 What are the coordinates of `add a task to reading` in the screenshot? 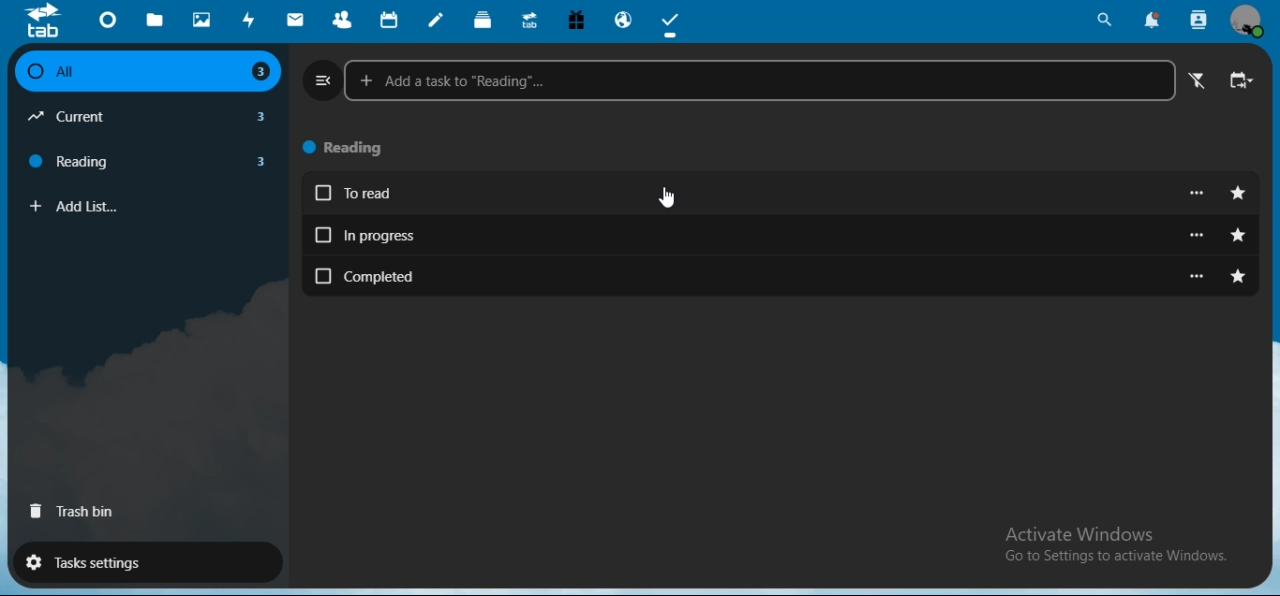 It's located at (761, 80).